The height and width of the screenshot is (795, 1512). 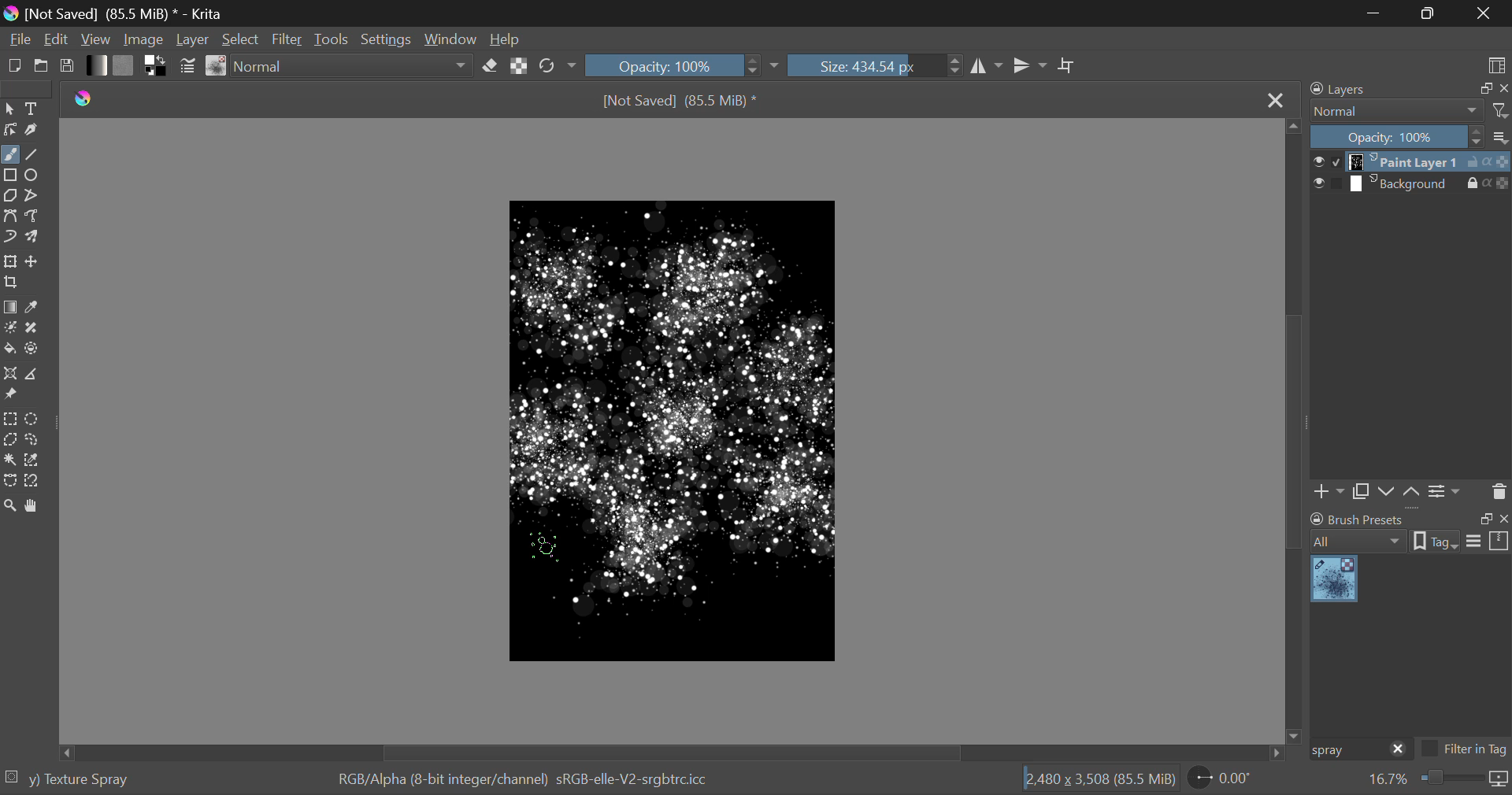 What do you see at coordinates (157, 66) in the screenshot?
I see `Colors in Use` at bounding box center [157, 66].